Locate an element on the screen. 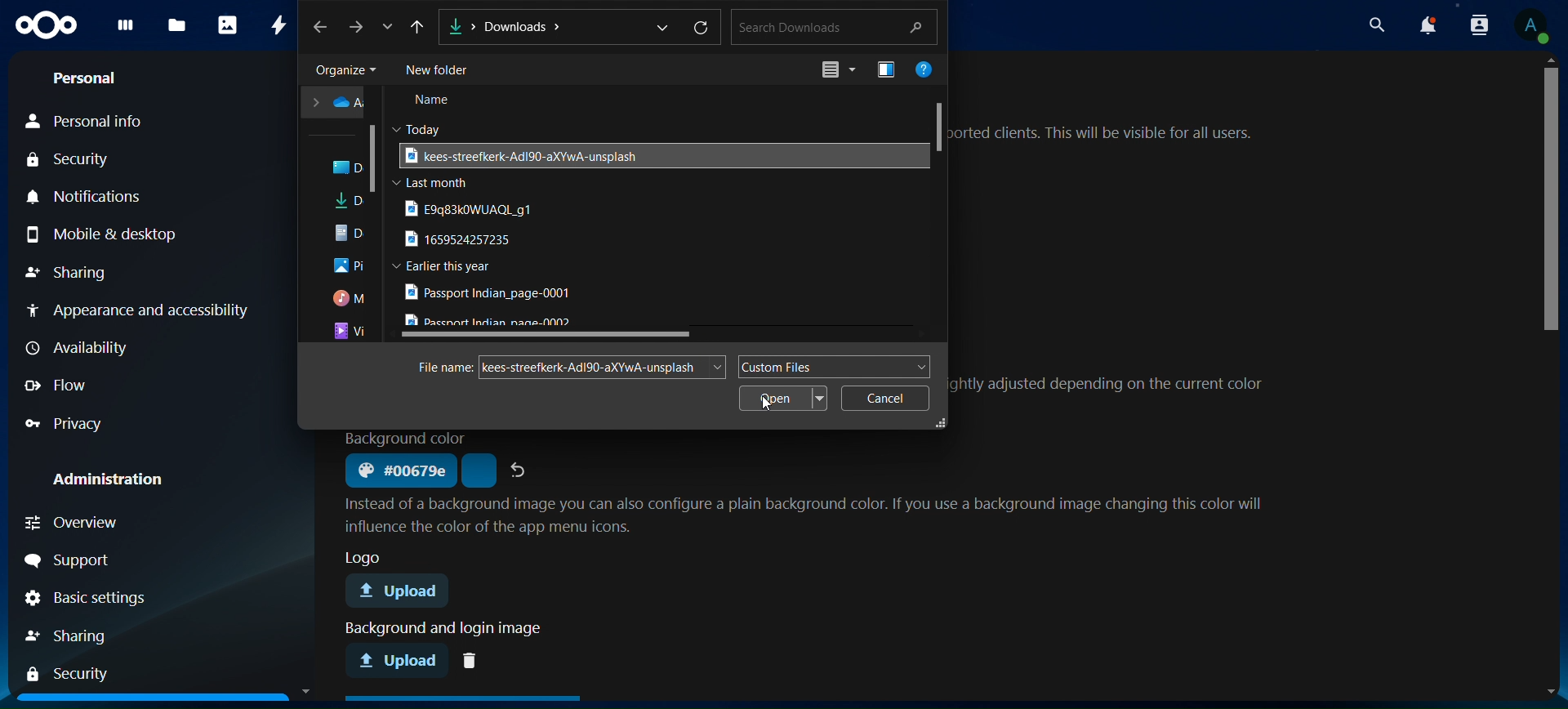 This screenshot has height=709, width=1568. files is located at coordinates (178, 26).